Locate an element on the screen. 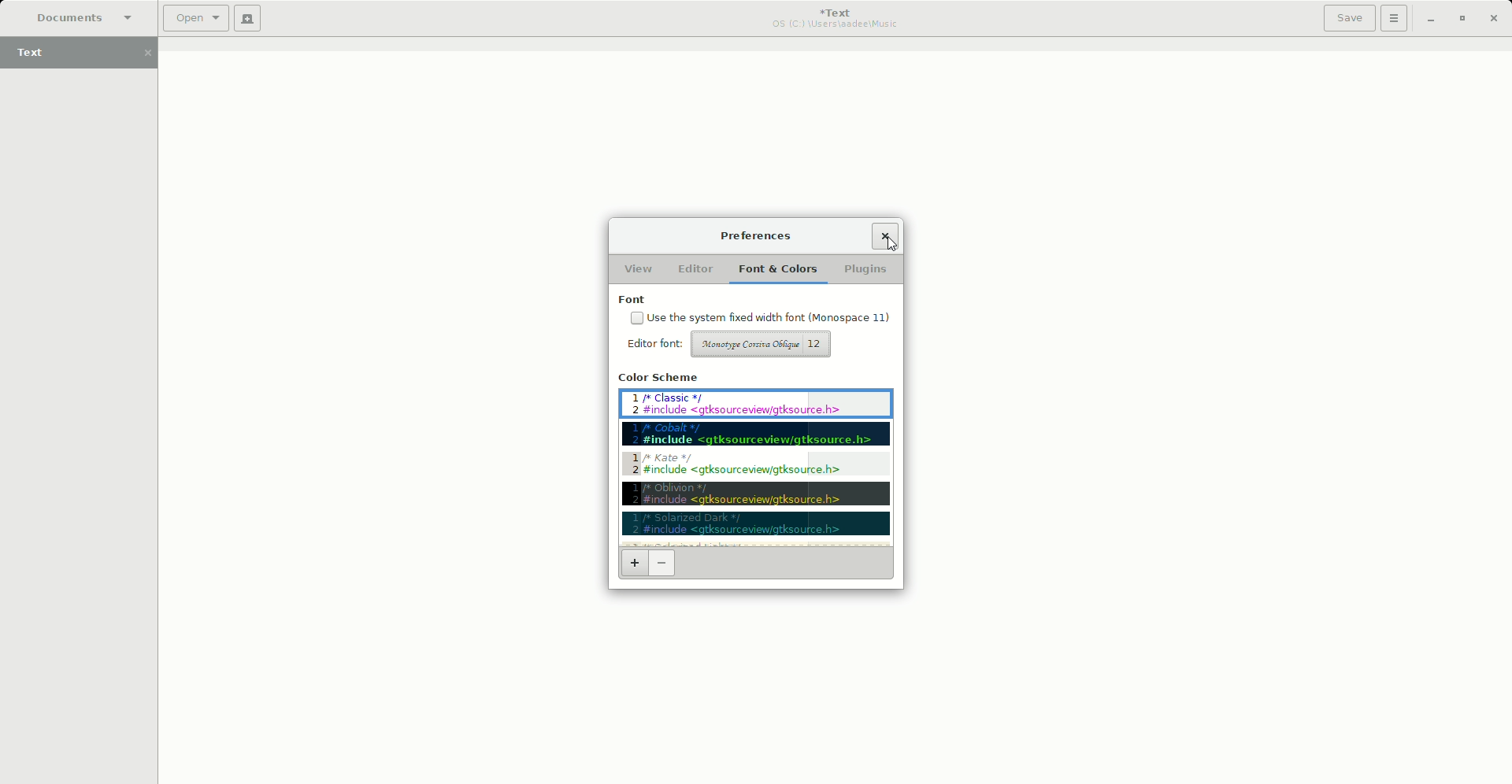 The image size is (1512, 784). View is located at coordinates (639, 268).